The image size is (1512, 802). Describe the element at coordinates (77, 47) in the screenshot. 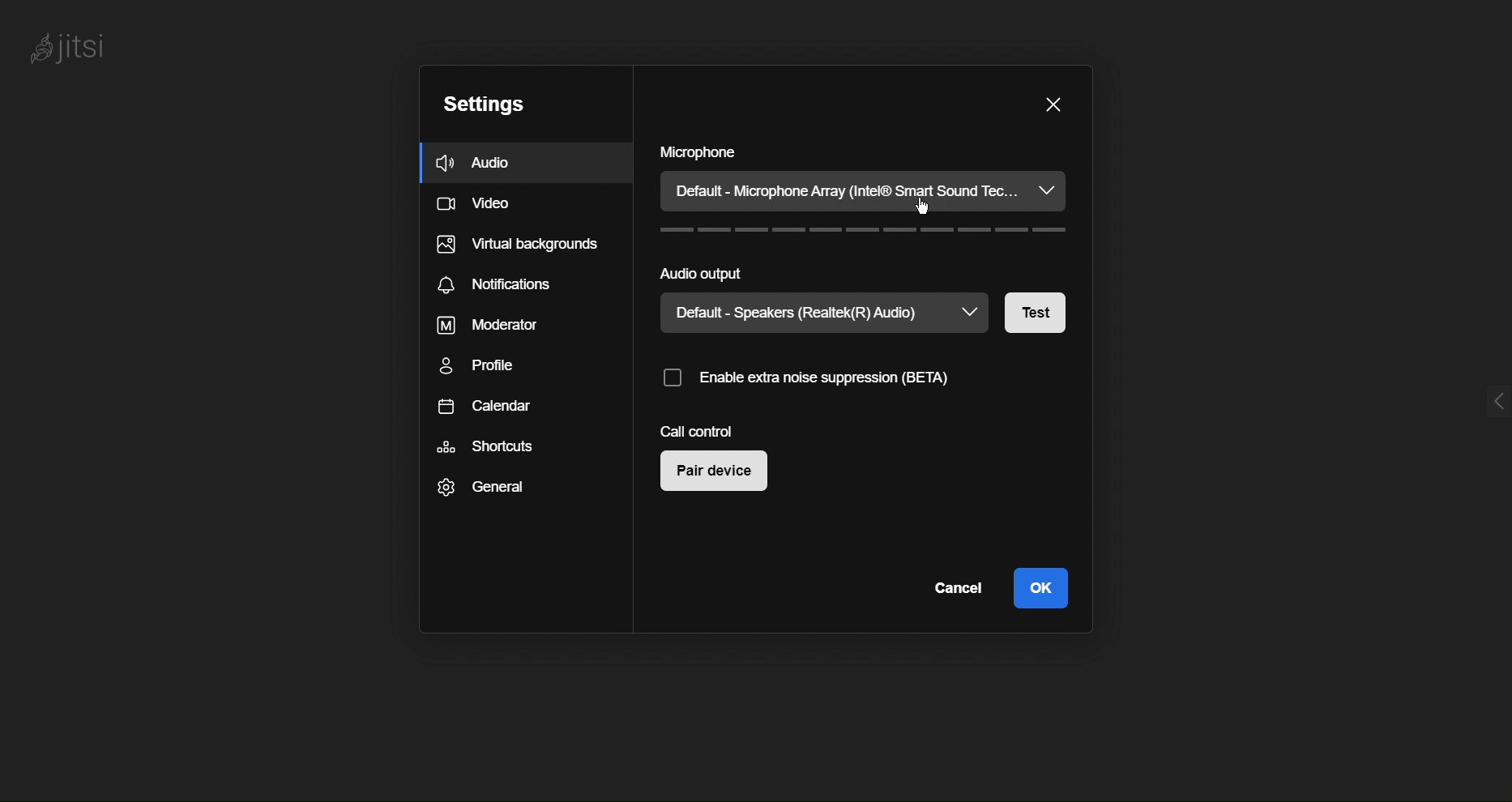

I see `Jitsi` at that location.